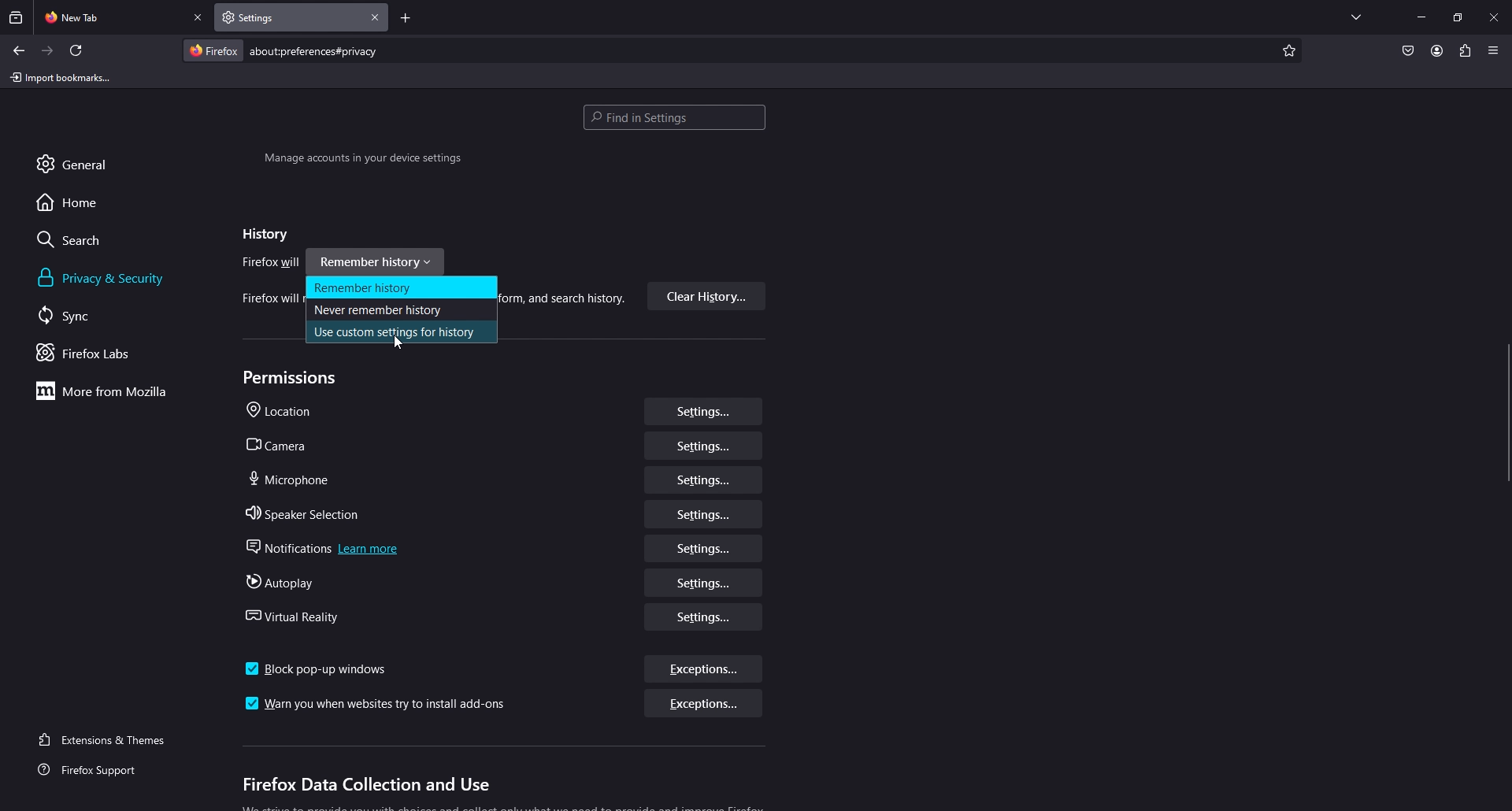 Image resolution: width=1512 pixels, height=811 pixels. I want to click on extension, so click(1466, 50).